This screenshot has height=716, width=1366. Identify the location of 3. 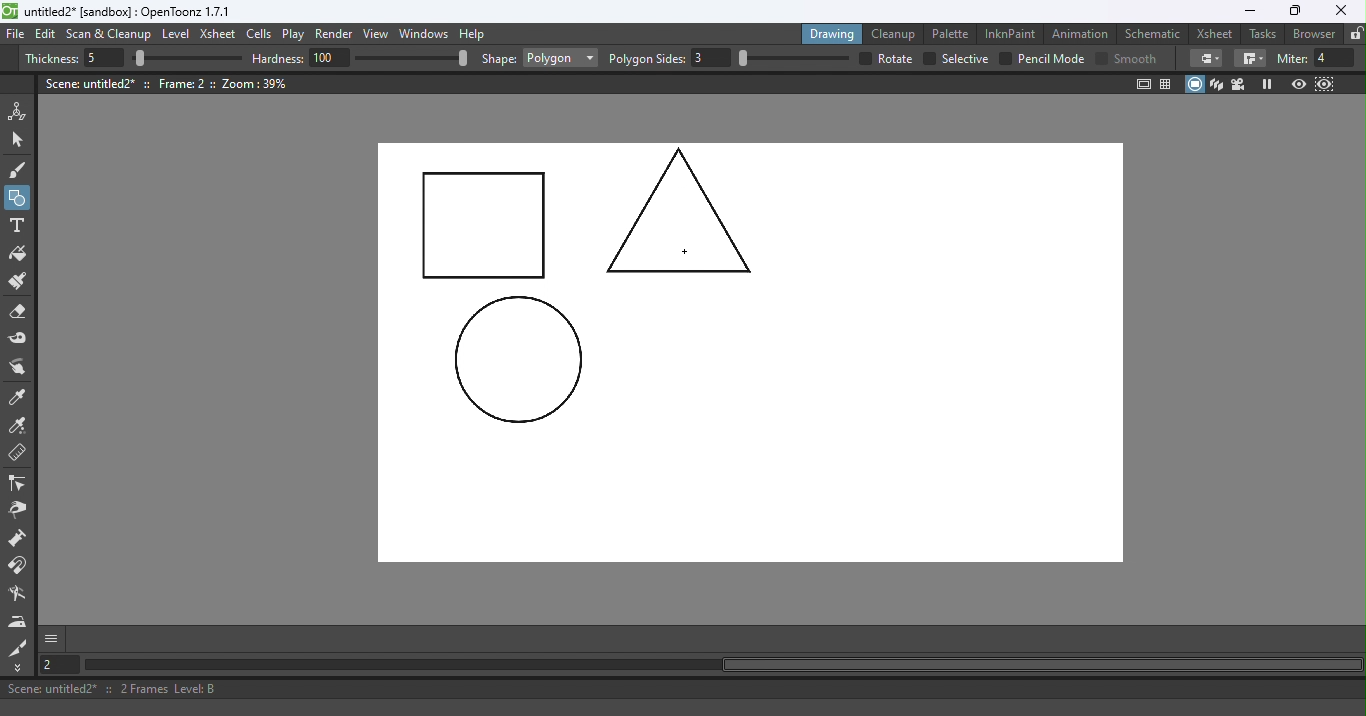
(712, 58).